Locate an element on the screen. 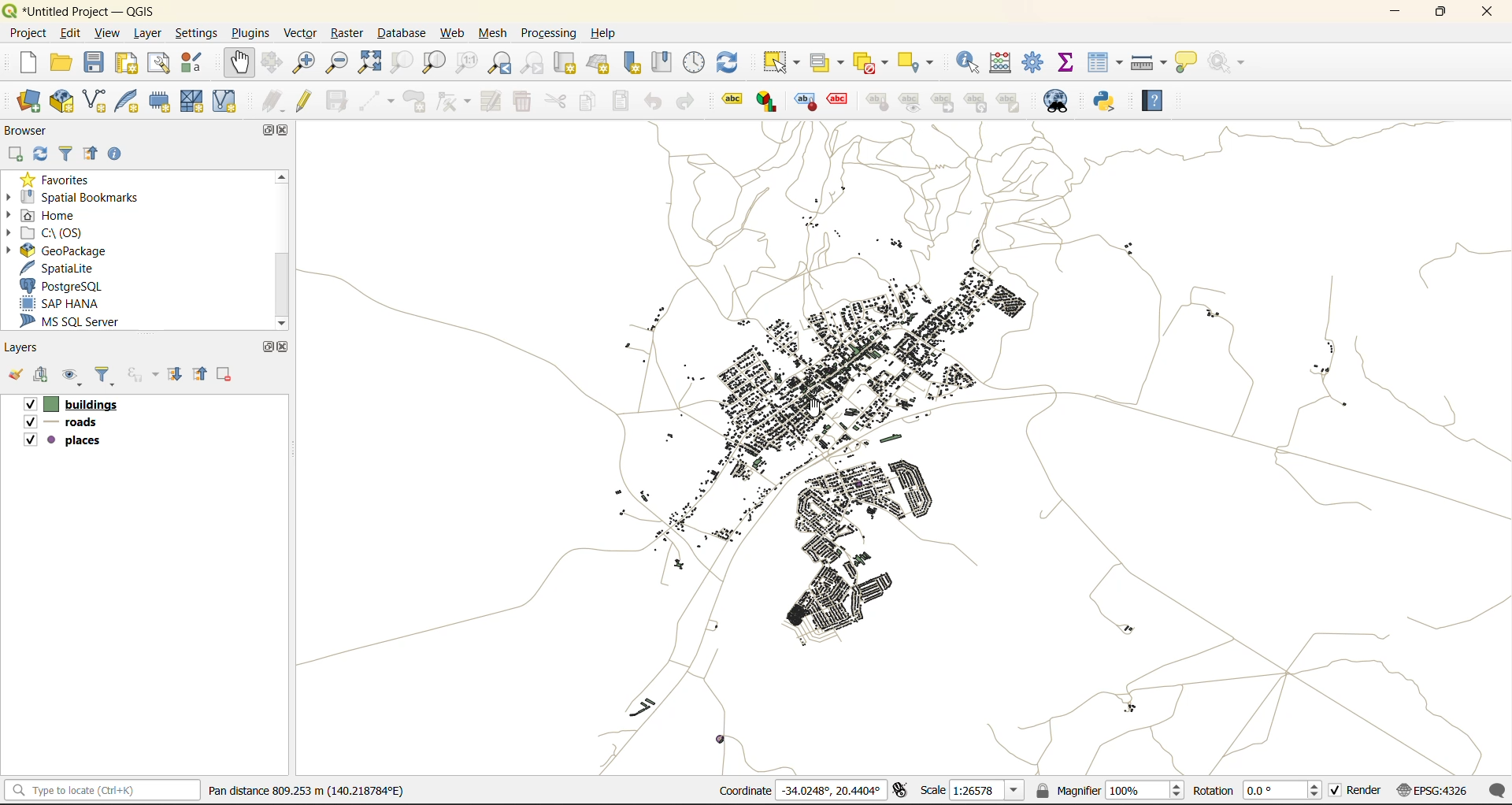  paste is located at coordinates (623, 100).